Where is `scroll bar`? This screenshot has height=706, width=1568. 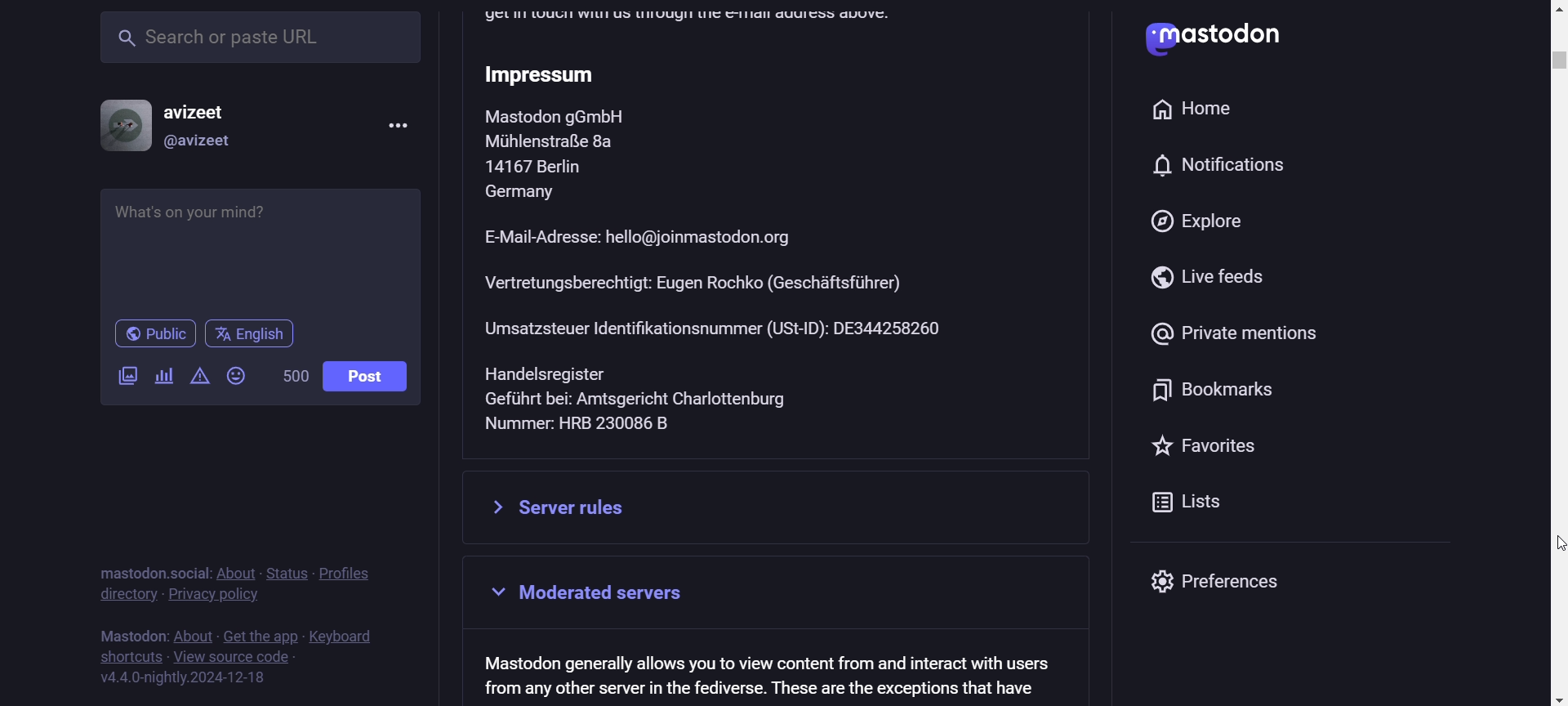 scroll bar is located at coordinates (1552, 425).